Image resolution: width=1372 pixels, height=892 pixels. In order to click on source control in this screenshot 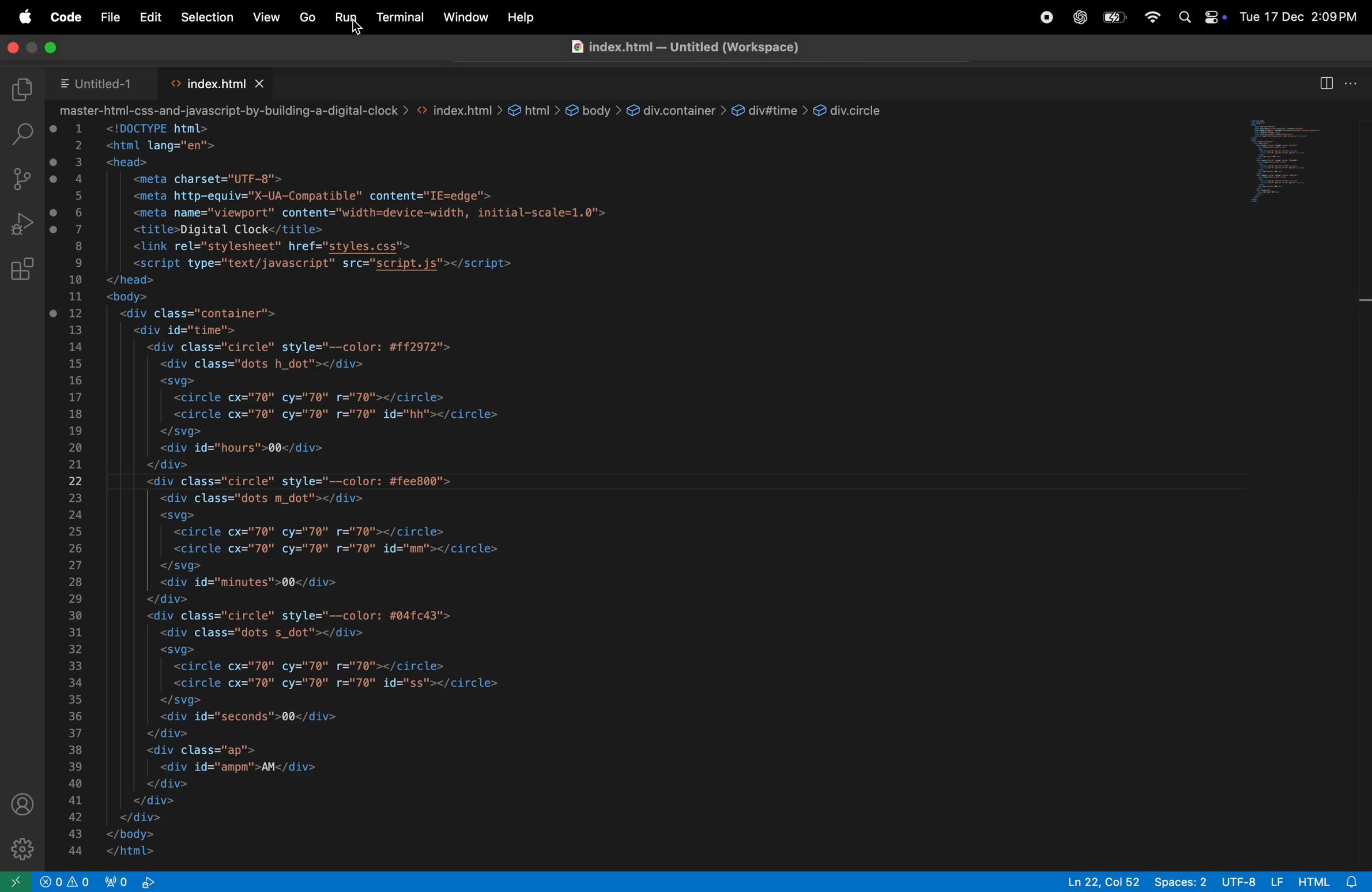, I will do `click(20, 179)`.